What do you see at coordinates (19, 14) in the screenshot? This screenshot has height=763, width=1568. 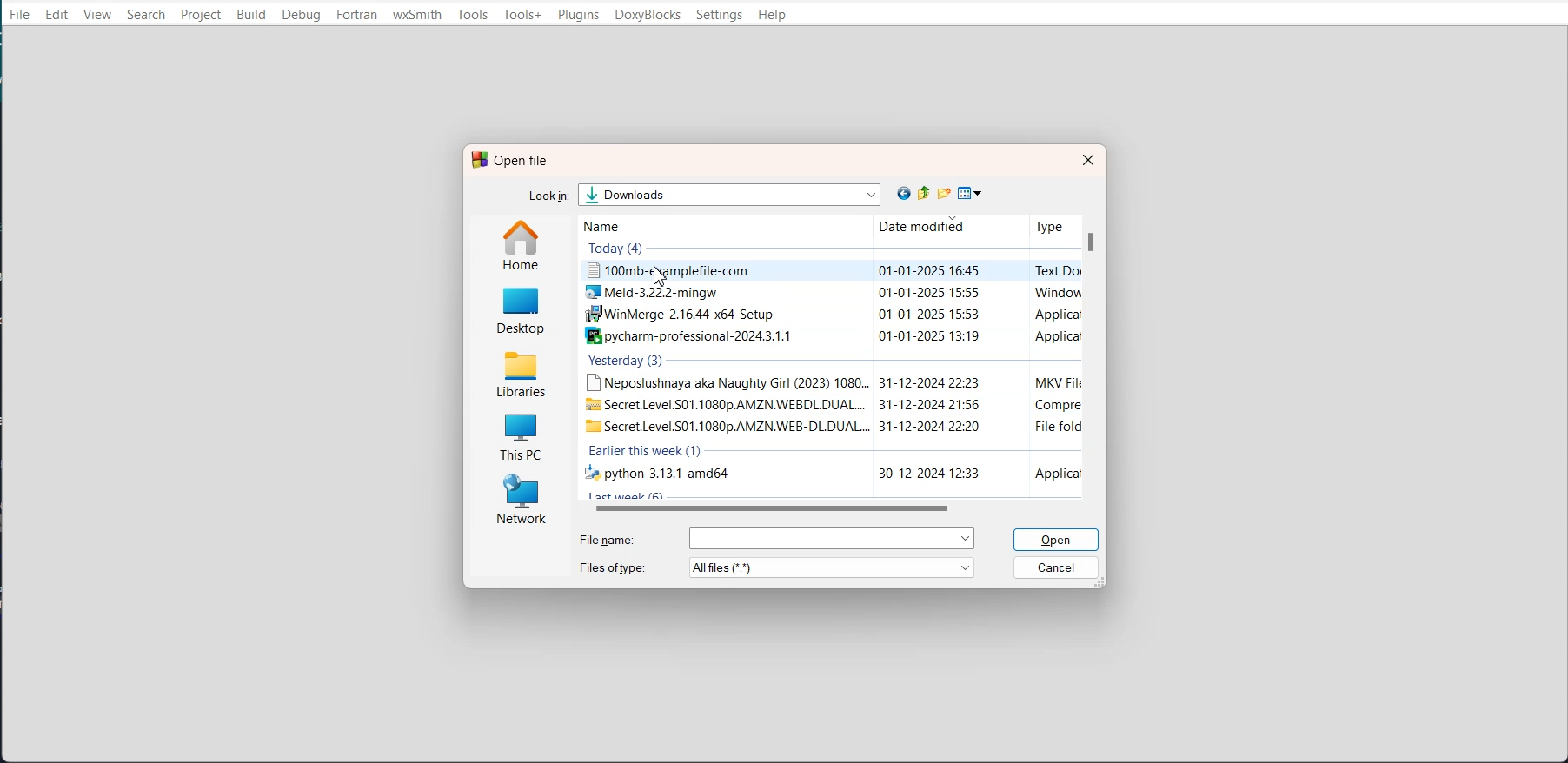 I see `File` at bounding box center [19, 14].